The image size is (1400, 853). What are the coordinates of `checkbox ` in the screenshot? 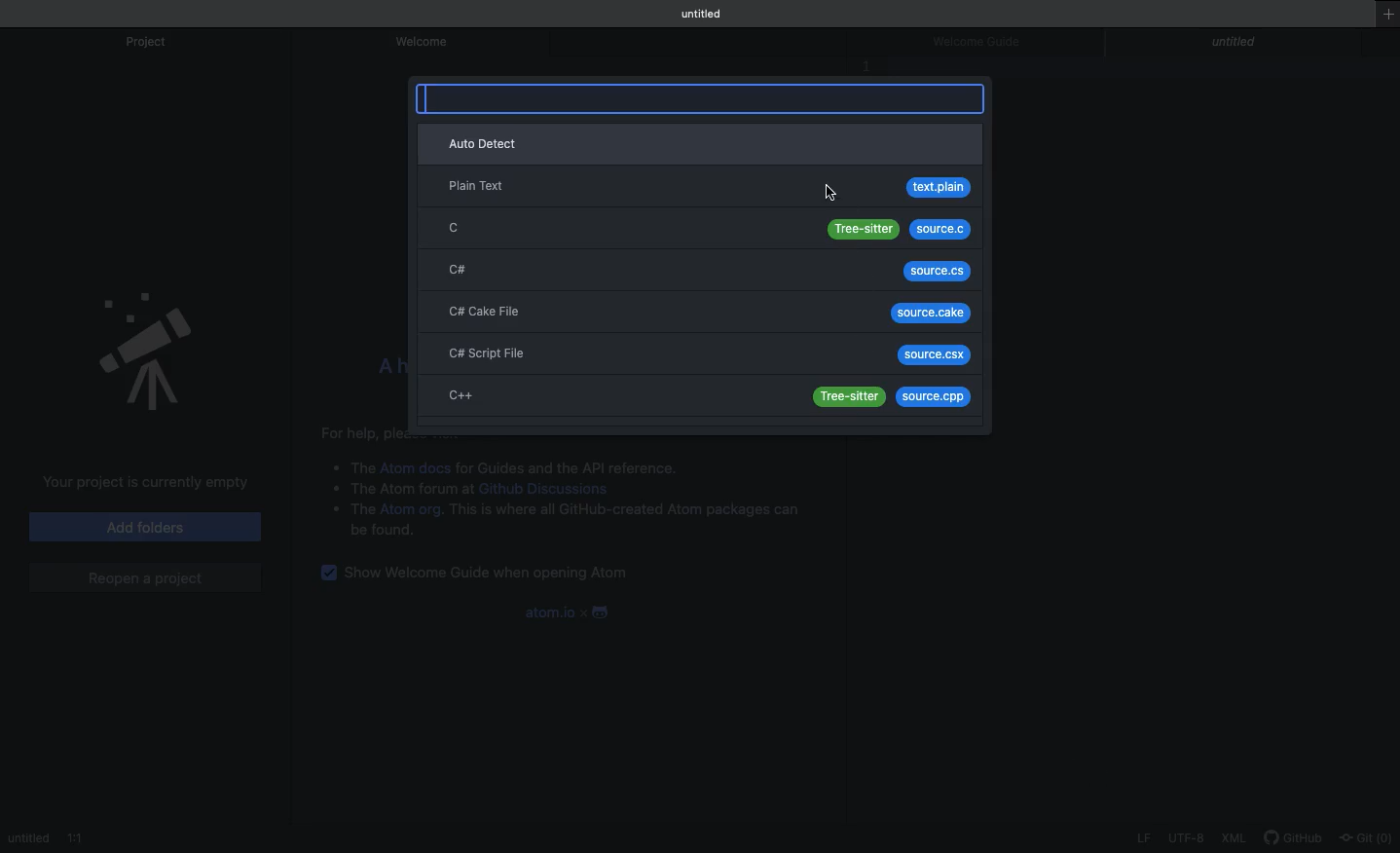 It's located at (327, 577).